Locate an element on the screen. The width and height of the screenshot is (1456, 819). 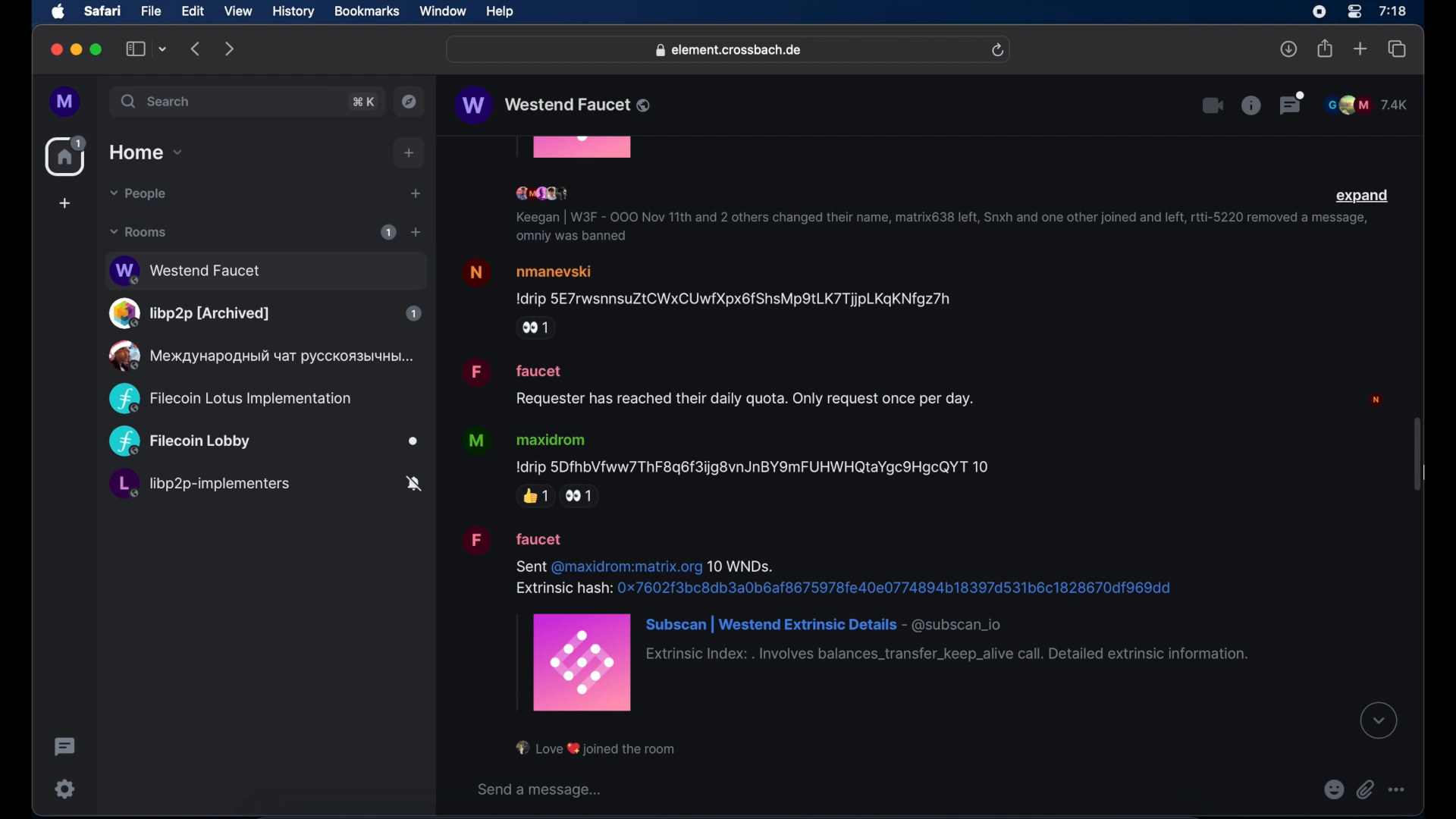
video call is located at coordinates (1211, 106).